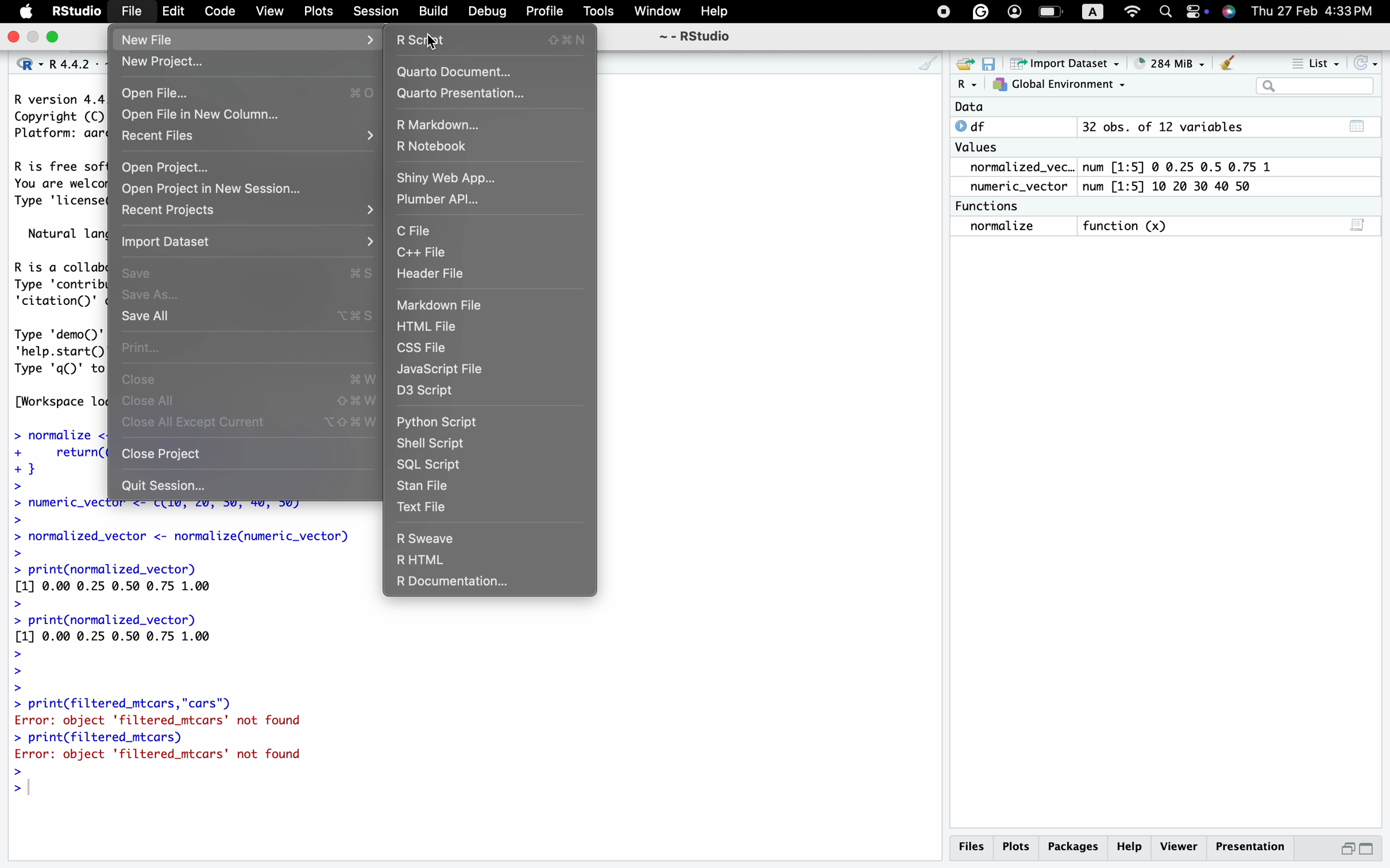  Describe the element at coordinates (941, 10) in the screenshot. I see `PAUSE` at that location.